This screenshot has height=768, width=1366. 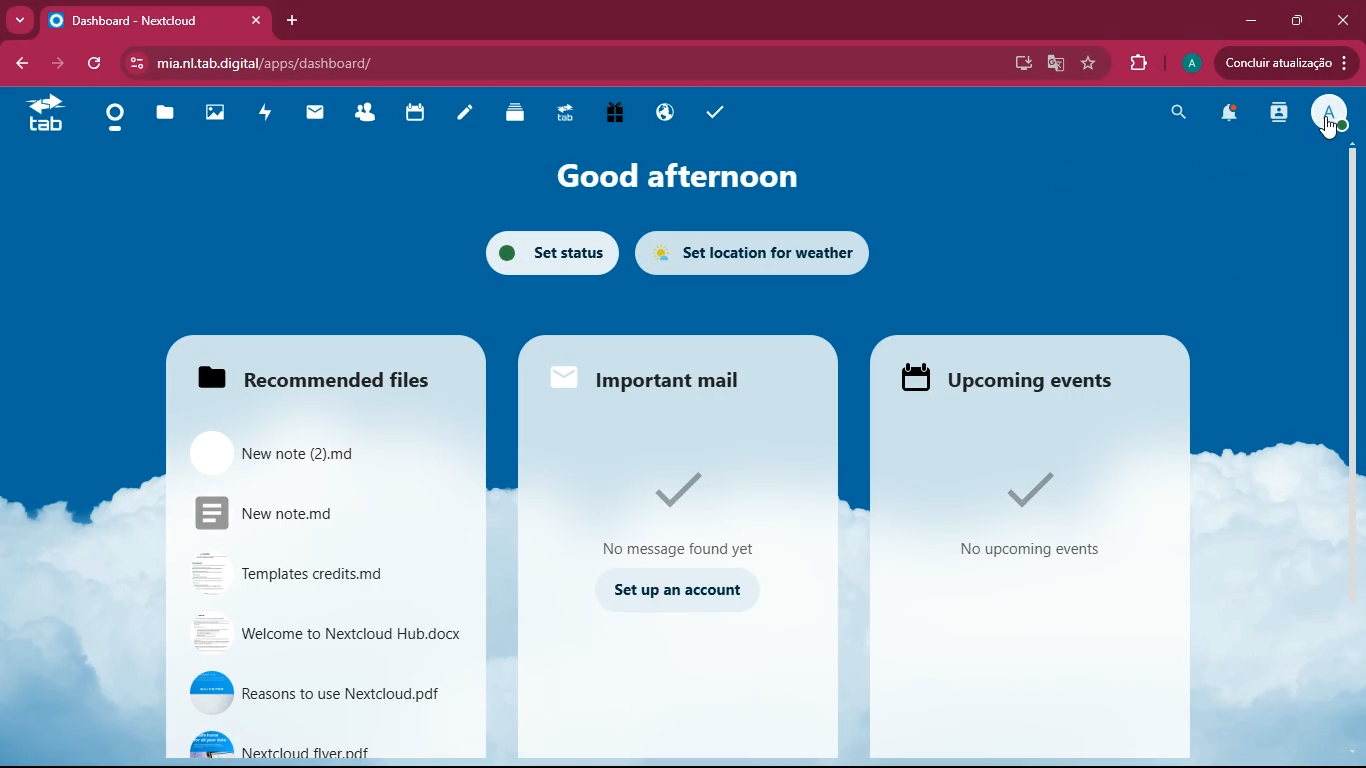 I want to click on search, so click(x=1176, y=114).